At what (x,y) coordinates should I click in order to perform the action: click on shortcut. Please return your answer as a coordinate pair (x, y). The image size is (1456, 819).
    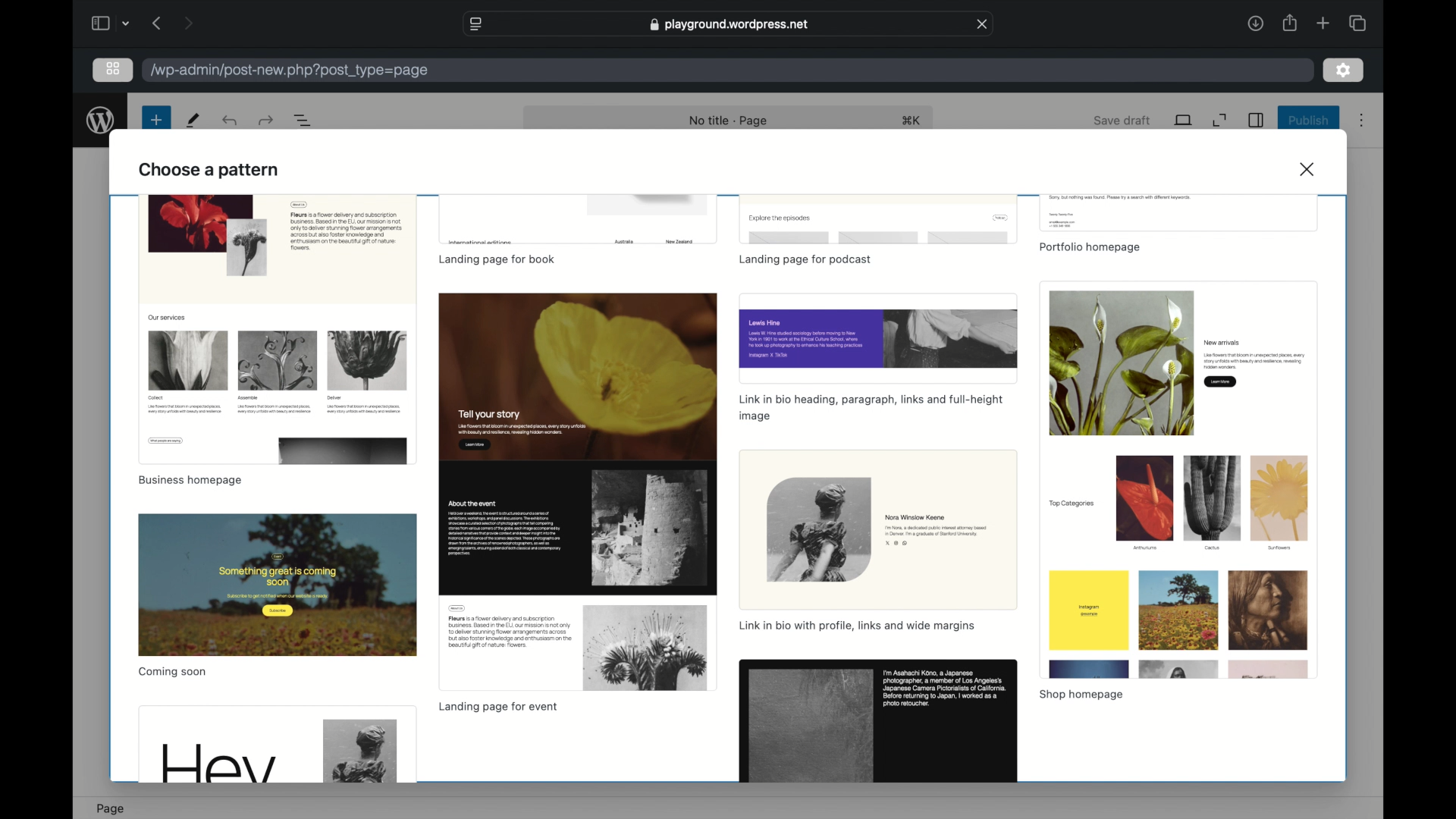
    Looking at the image, I should click on (914, 121).